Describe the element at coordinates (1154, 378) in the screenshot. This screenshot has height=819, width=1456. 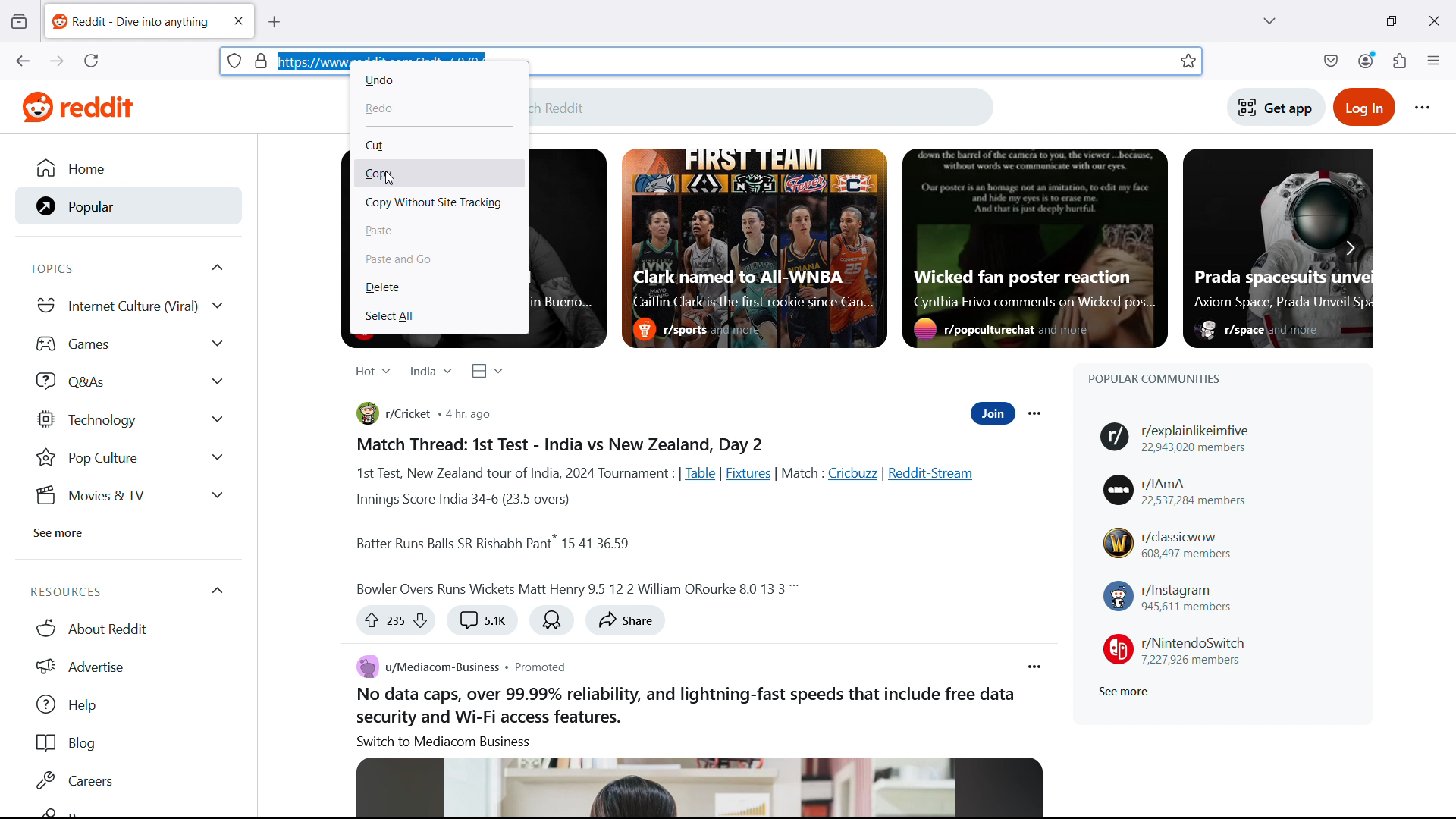
I see `Popular communities` at that location.